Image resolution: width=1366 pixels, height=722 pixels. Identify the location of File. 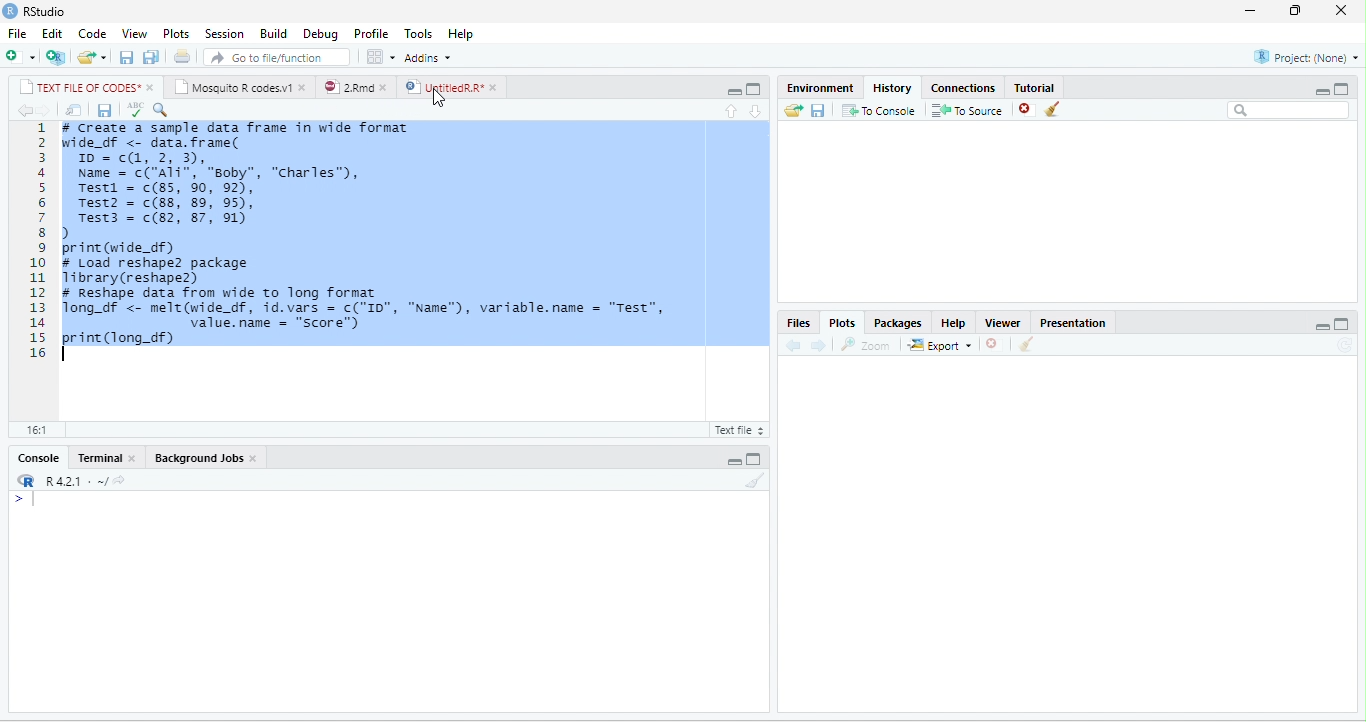
(17, 34).